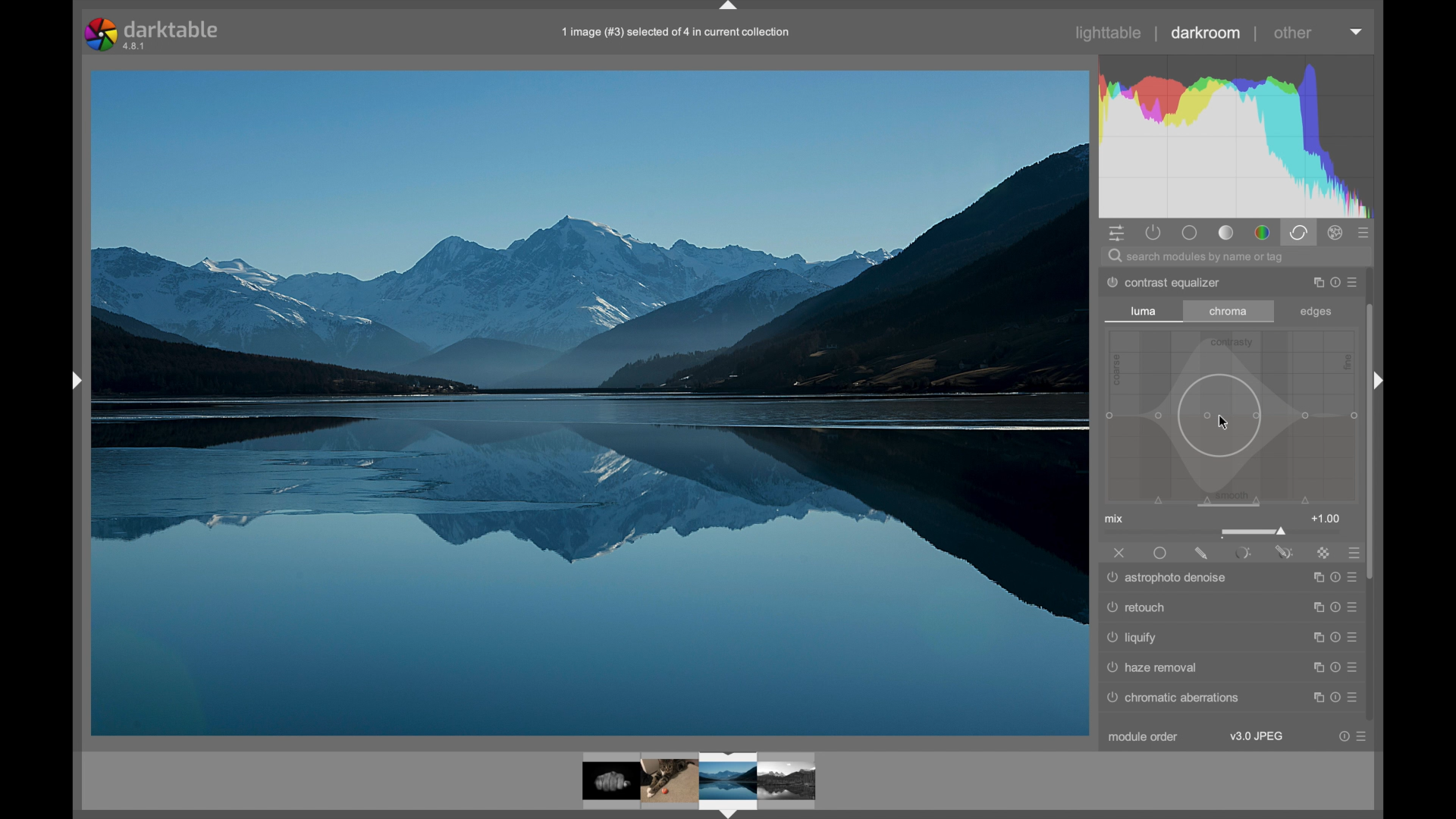 The image size is (1456, 819). What do you see at coordinates (1327, 669) in the screenshot?
I see `more options` at bounding box center [1327, 669].